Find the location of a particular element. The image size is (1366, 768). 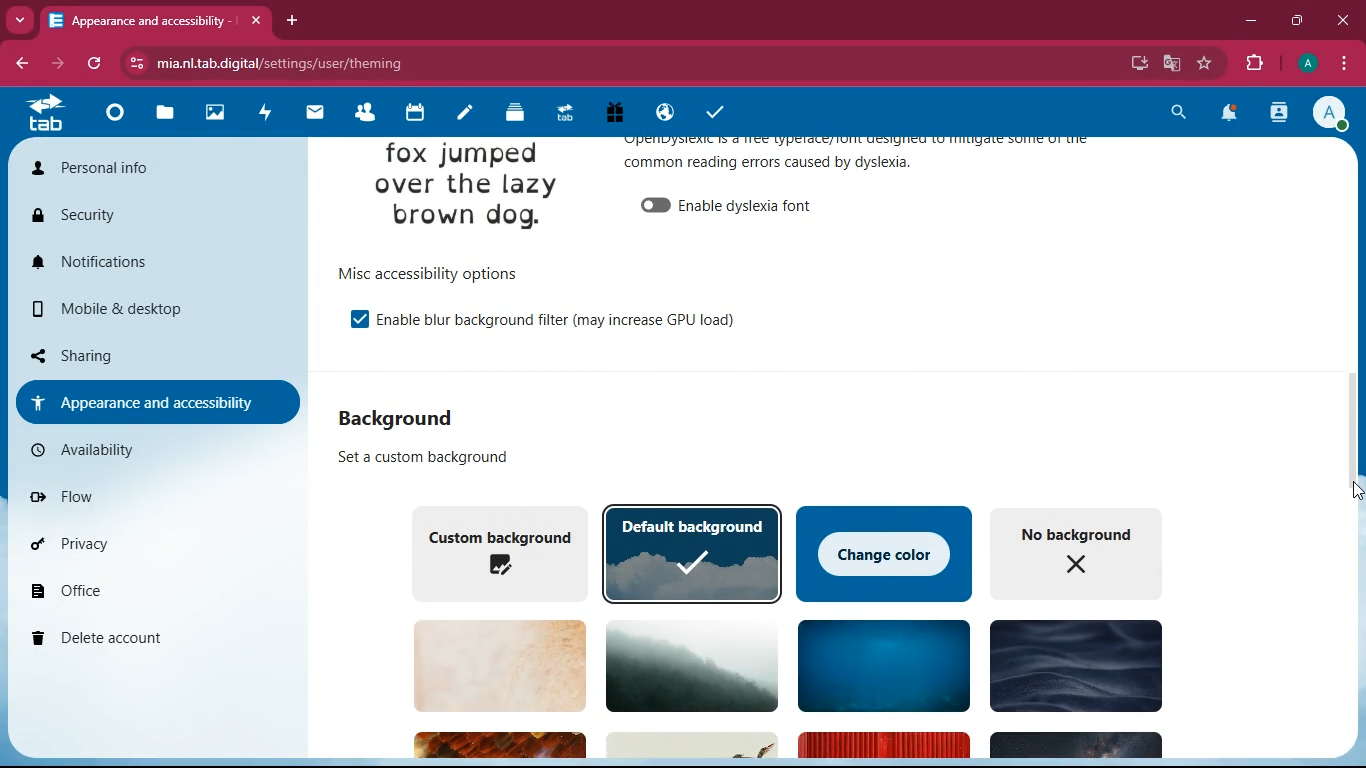

forward is located at coordinates (57, 64).